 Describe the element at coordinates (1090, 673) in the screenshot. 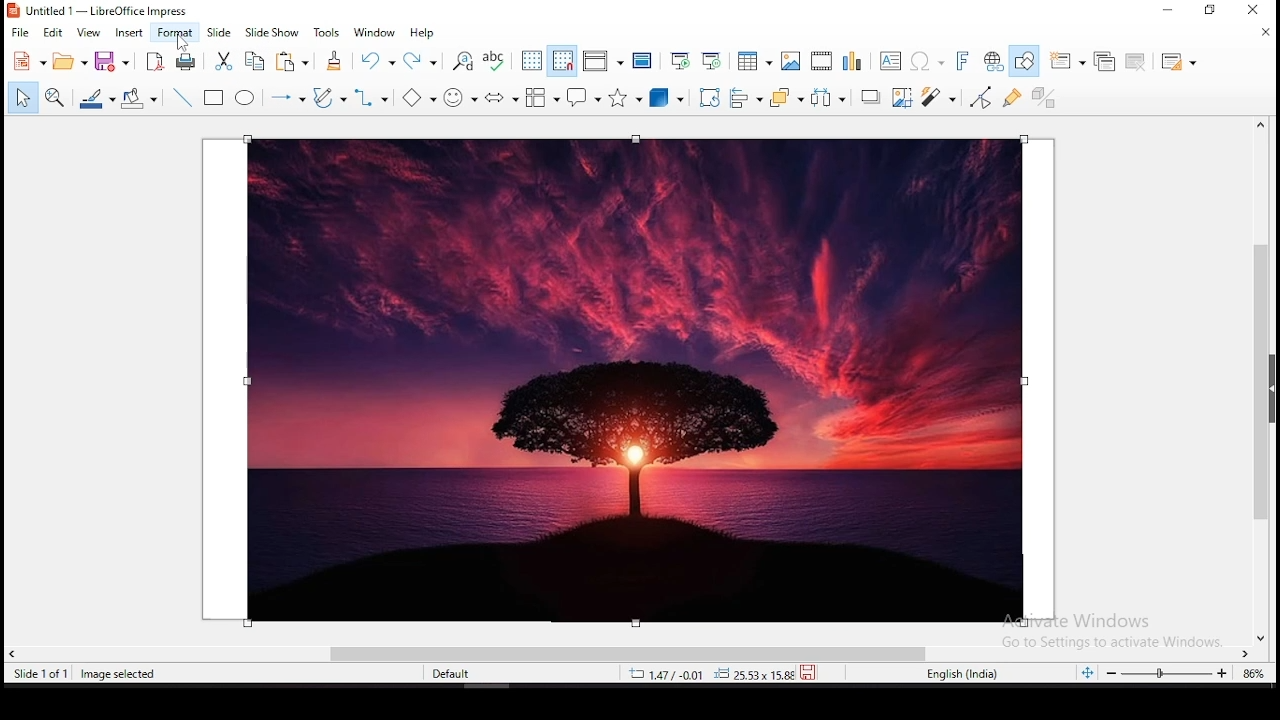

I see `fit slide to current window` at that location.